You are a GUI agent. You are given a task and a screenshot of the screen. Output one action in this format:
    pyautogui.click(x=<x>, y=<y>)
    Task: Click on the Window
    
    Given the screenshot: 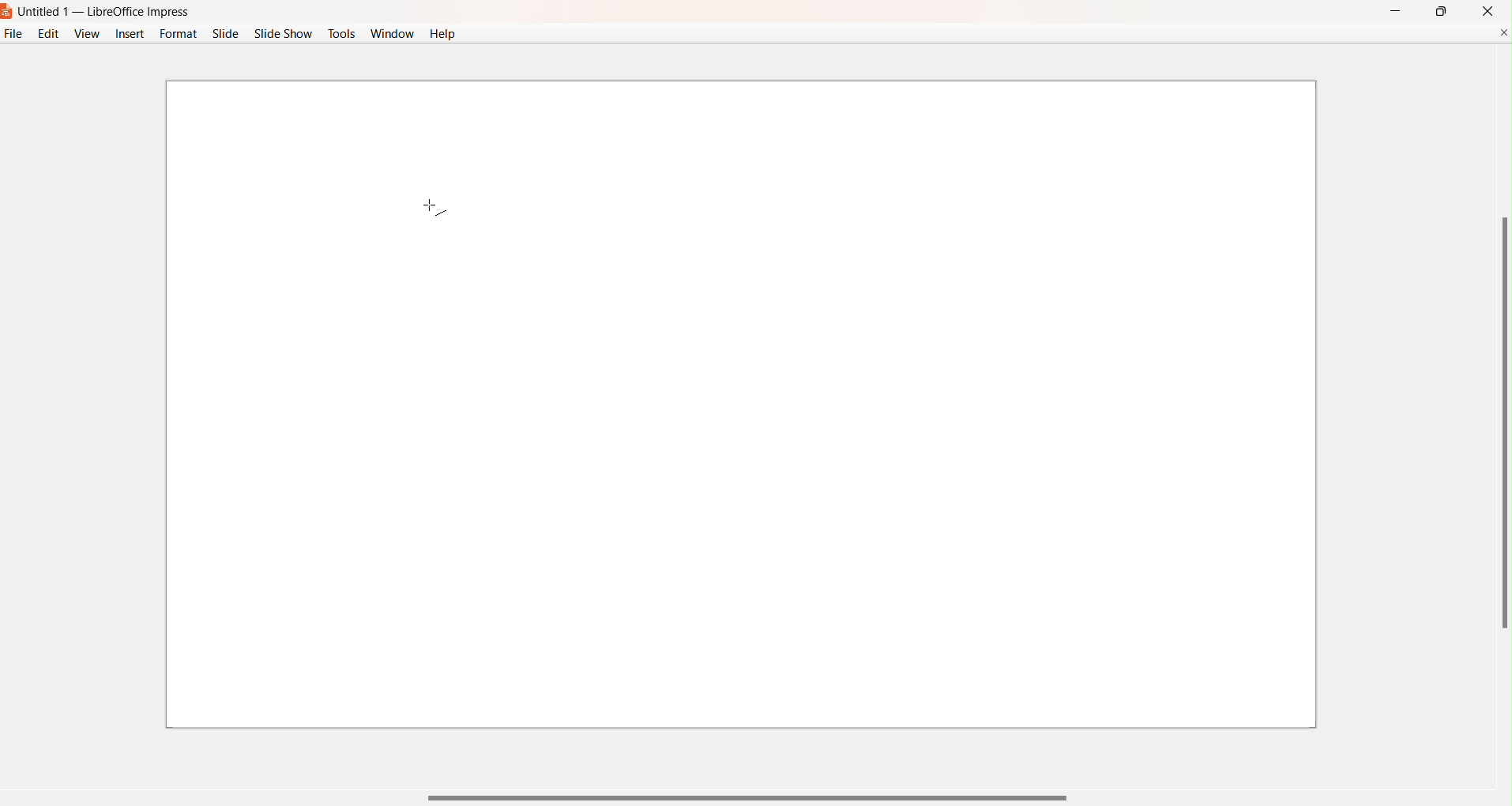 What is the action you would take?
    pyautogui.click(x=392, y=36)
    